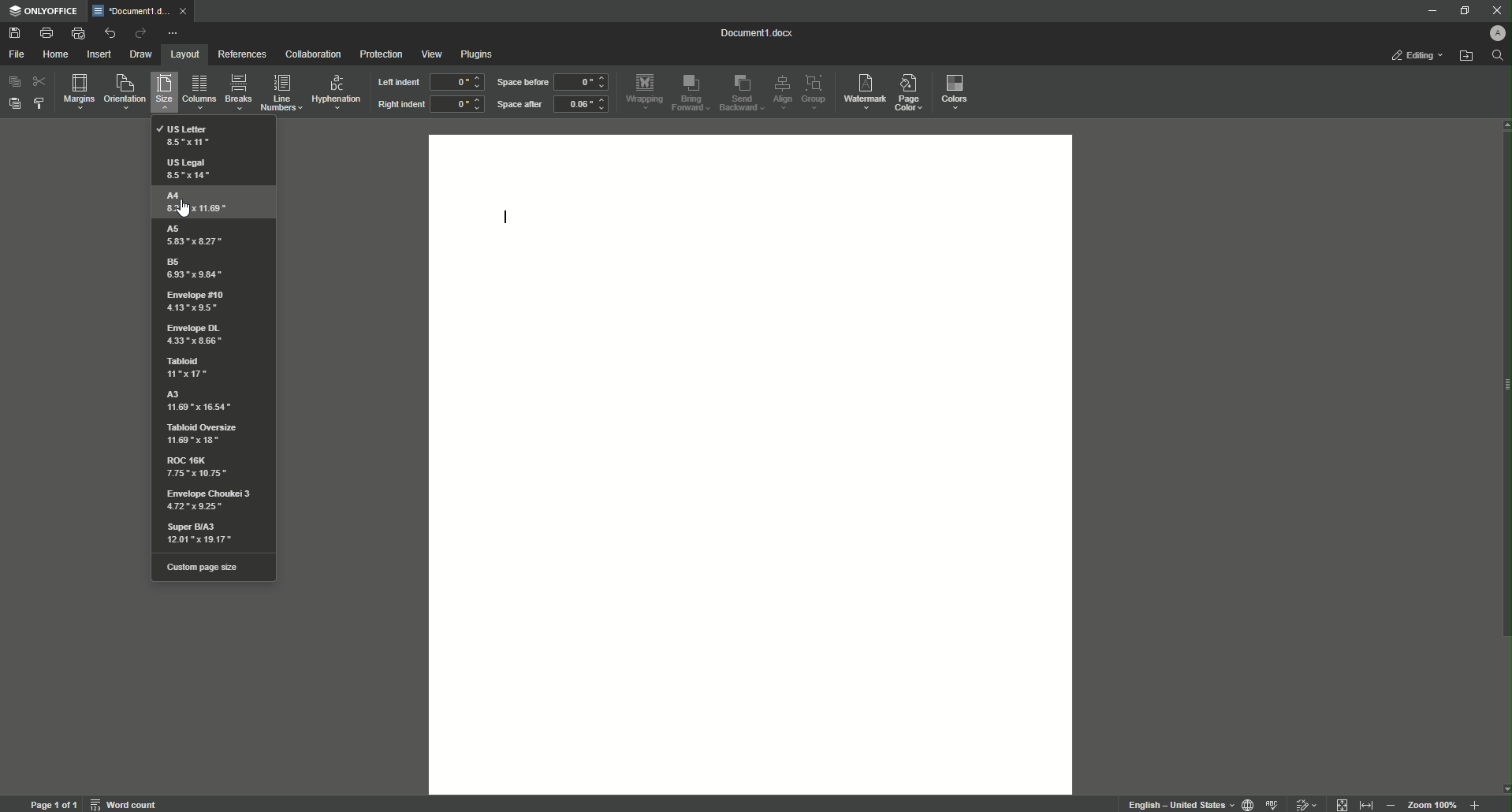 Image resolution: width=1512 pixels, height=812 pixels. Describe the element at coordinates (758, 35) in the screenshot. I see `Document1.docx` at that location.